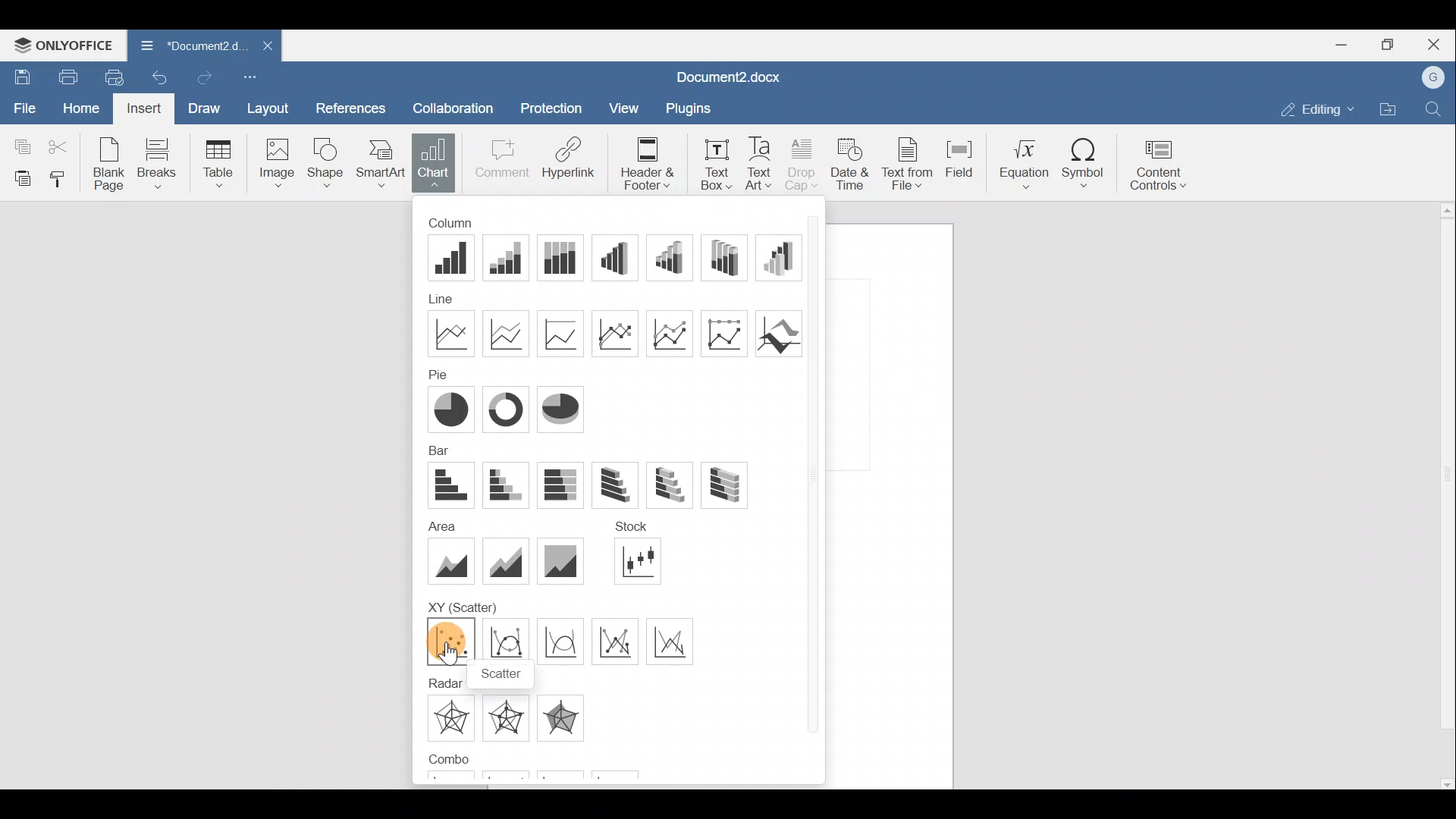 The height and width of the screenshot is (819, 1456). I want to click on Text box, so click(711, 162).